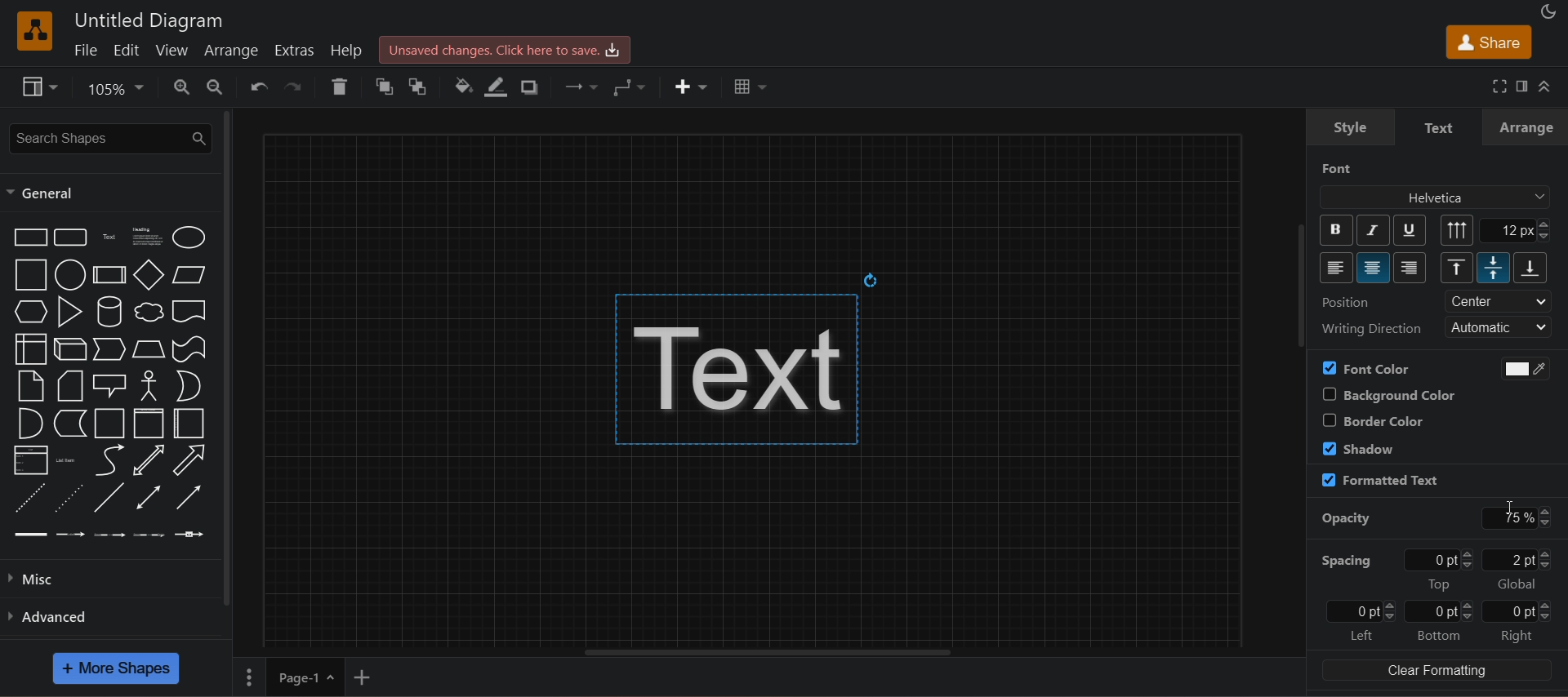 Image resolution: width=1568 pixels, height=697 pixels. I want to click on border color, so click(1372, 420).